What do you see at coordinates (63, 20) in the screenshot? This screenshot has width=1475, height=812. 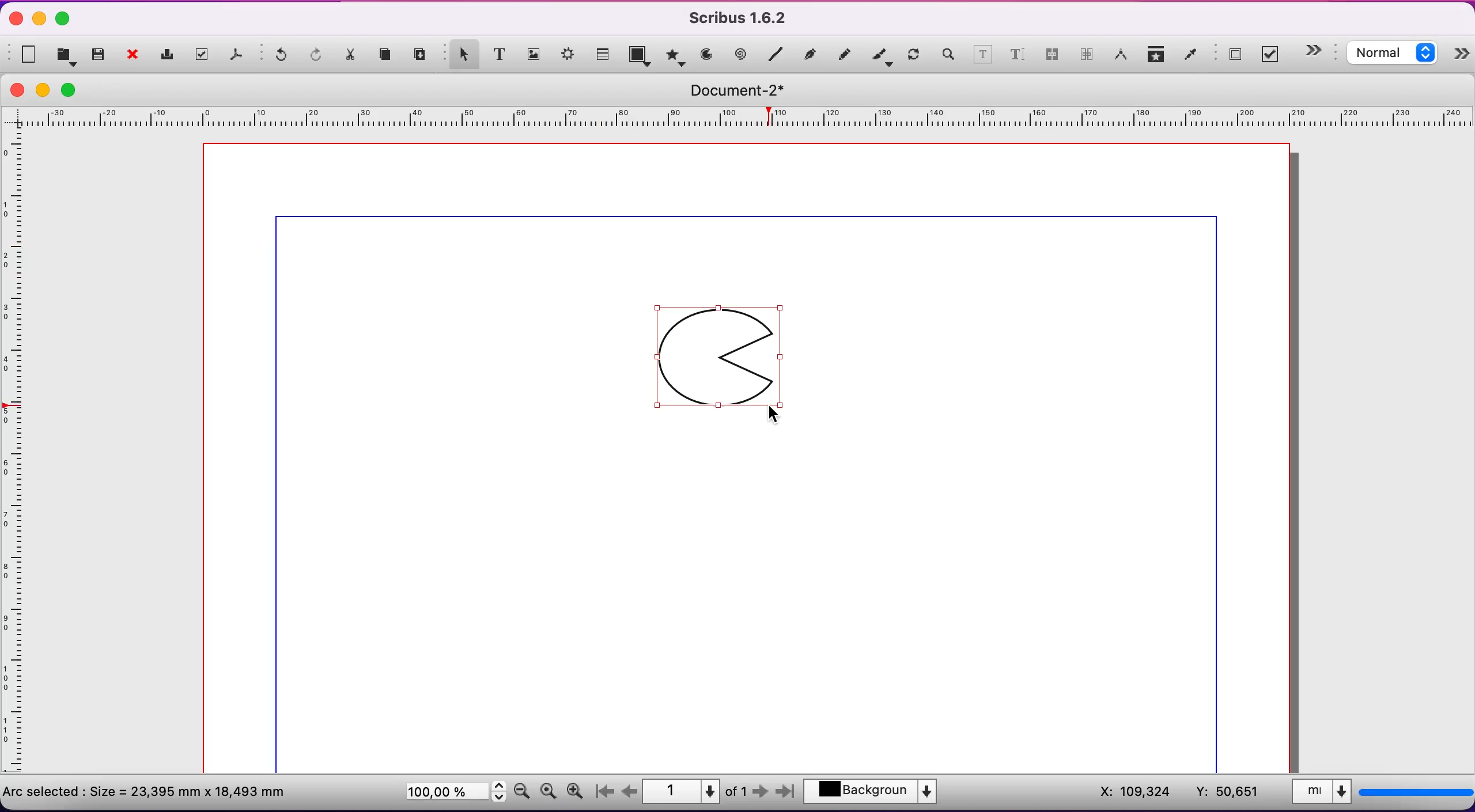 I see `maximize` at bounding box center [63, 20].